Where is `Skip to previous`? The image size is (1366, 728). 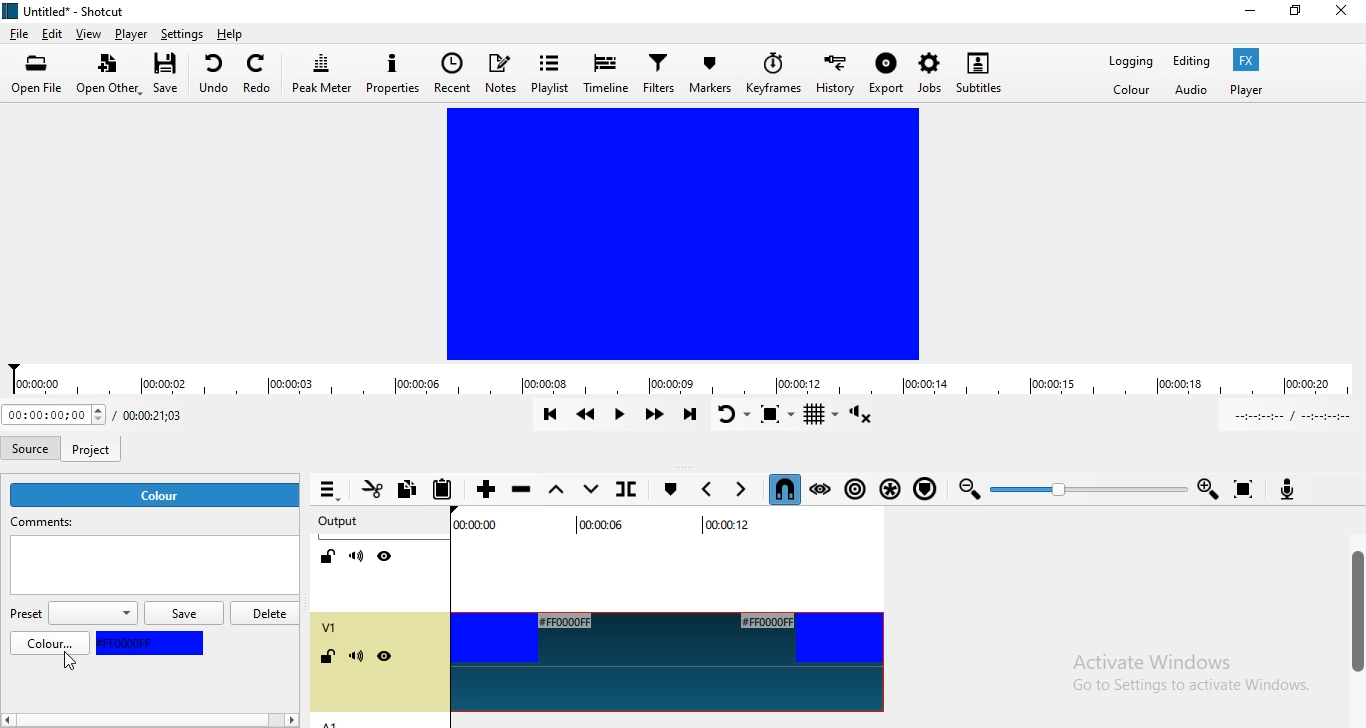 Skip to previous is located at coordinates (547, 416).